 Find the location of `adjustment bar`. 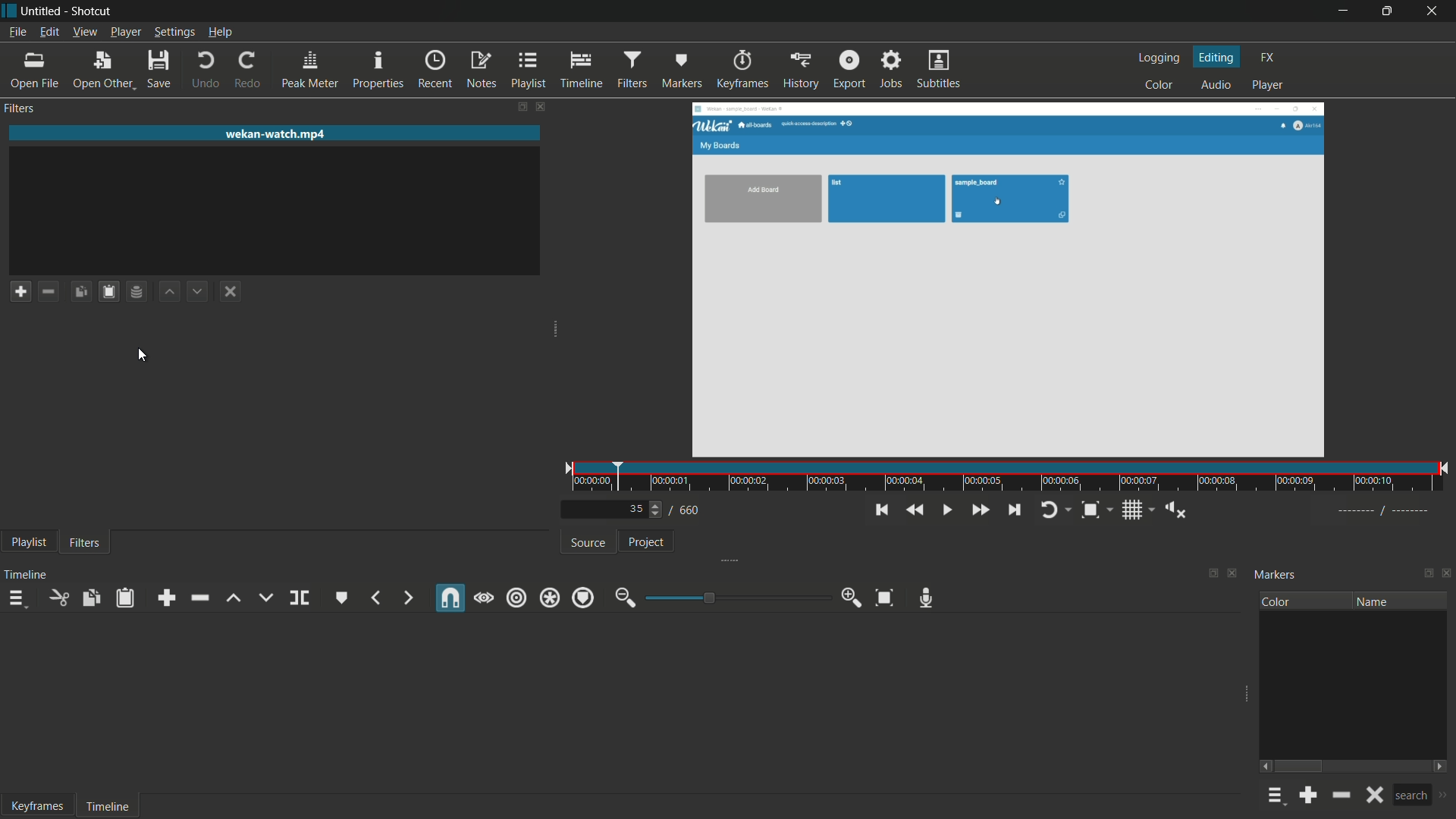

adjustment bar is located at coordinates (733, 598).